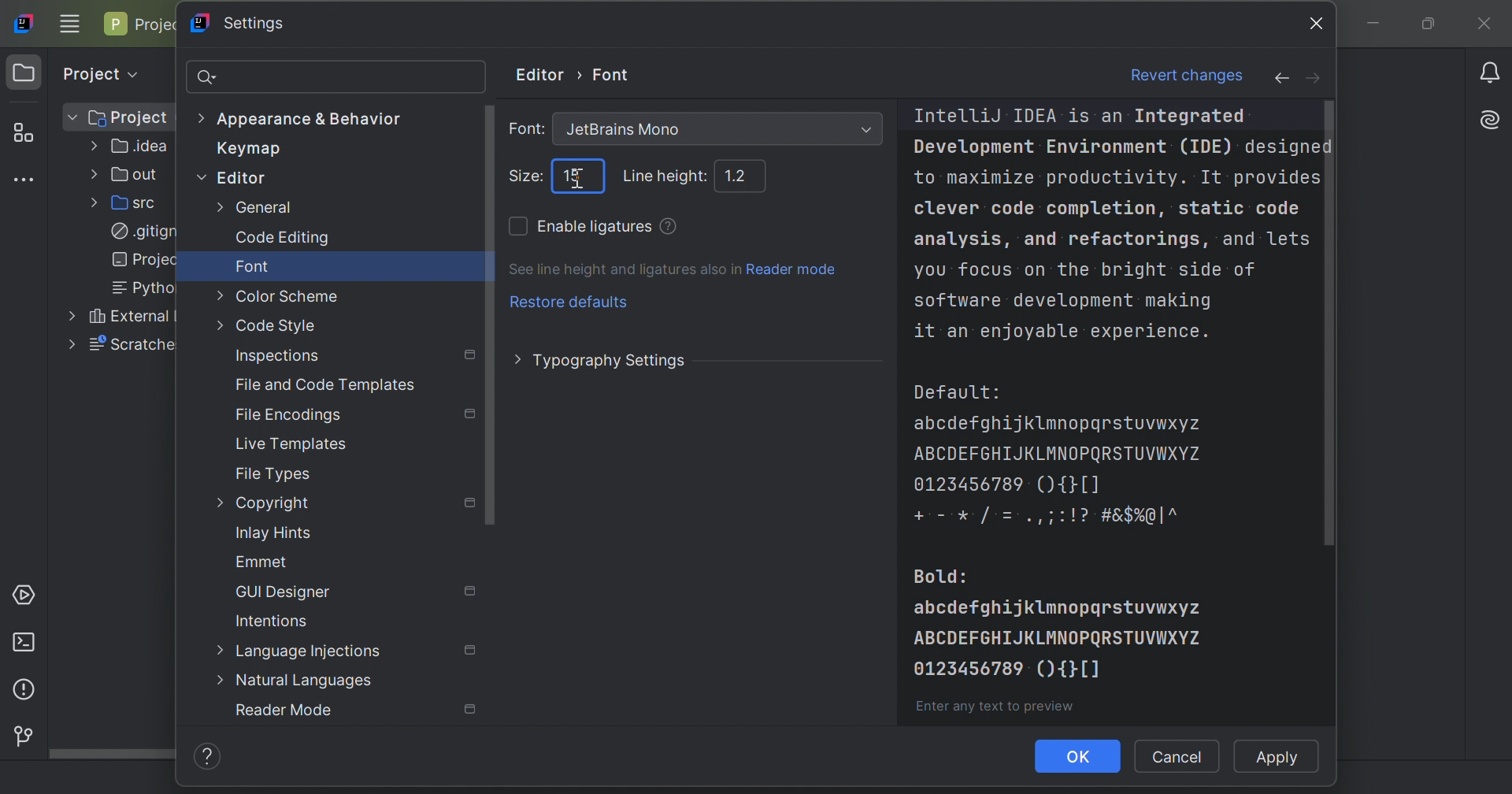 The width and height of the screenshot is (1512, 794). Describe the element at coordinates (1116, 177) in the screenshot. I see `to maximize productivity. It provides` at that location.